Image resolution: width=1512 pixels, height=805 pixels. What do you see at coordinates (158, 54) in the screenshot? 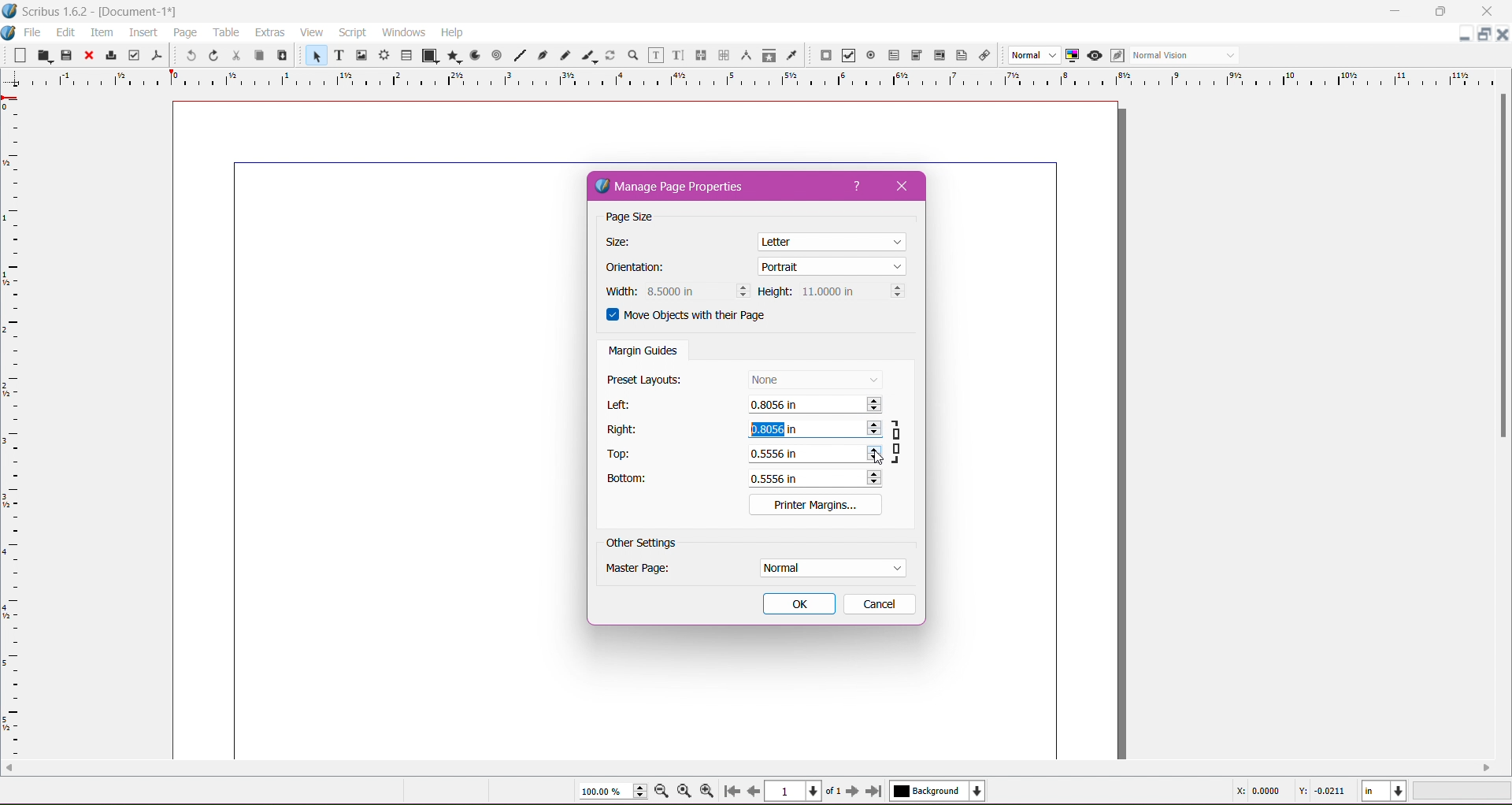
I see `Save as PDF` at bounding box center [158, 54].